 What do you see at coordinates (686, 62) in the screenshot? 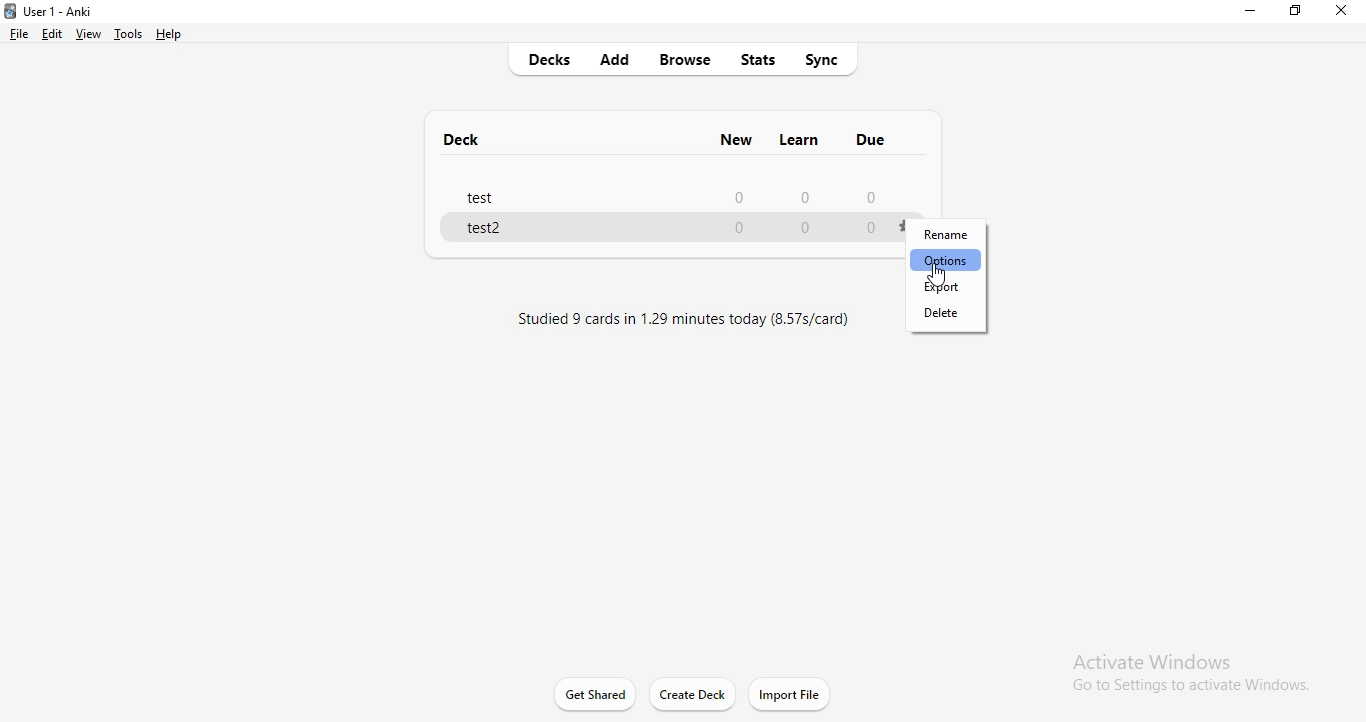
I see `browse` at bounding box center [686, 62].